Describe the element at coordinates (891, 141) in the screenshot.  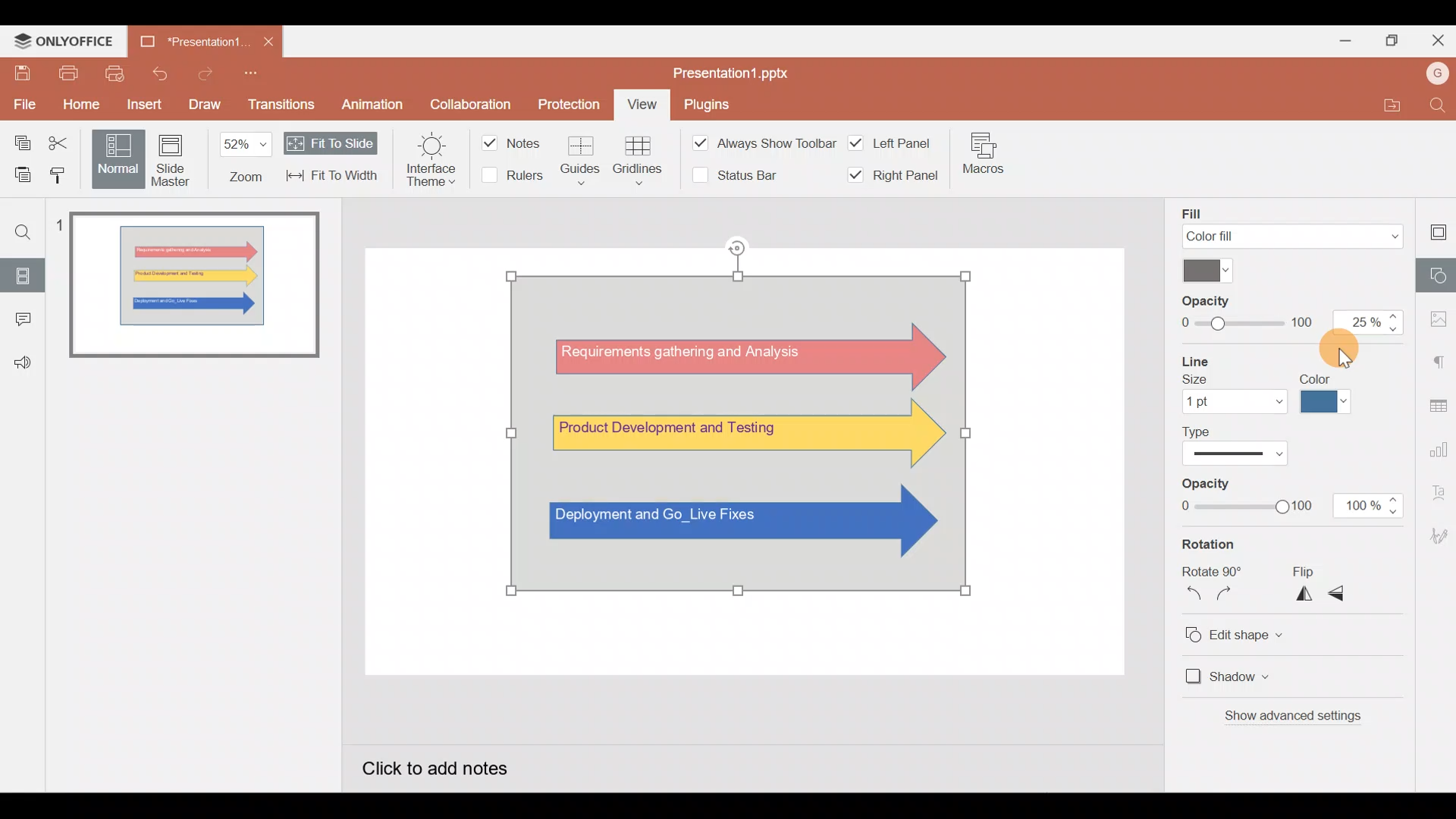
I see `Left panel` at that location.